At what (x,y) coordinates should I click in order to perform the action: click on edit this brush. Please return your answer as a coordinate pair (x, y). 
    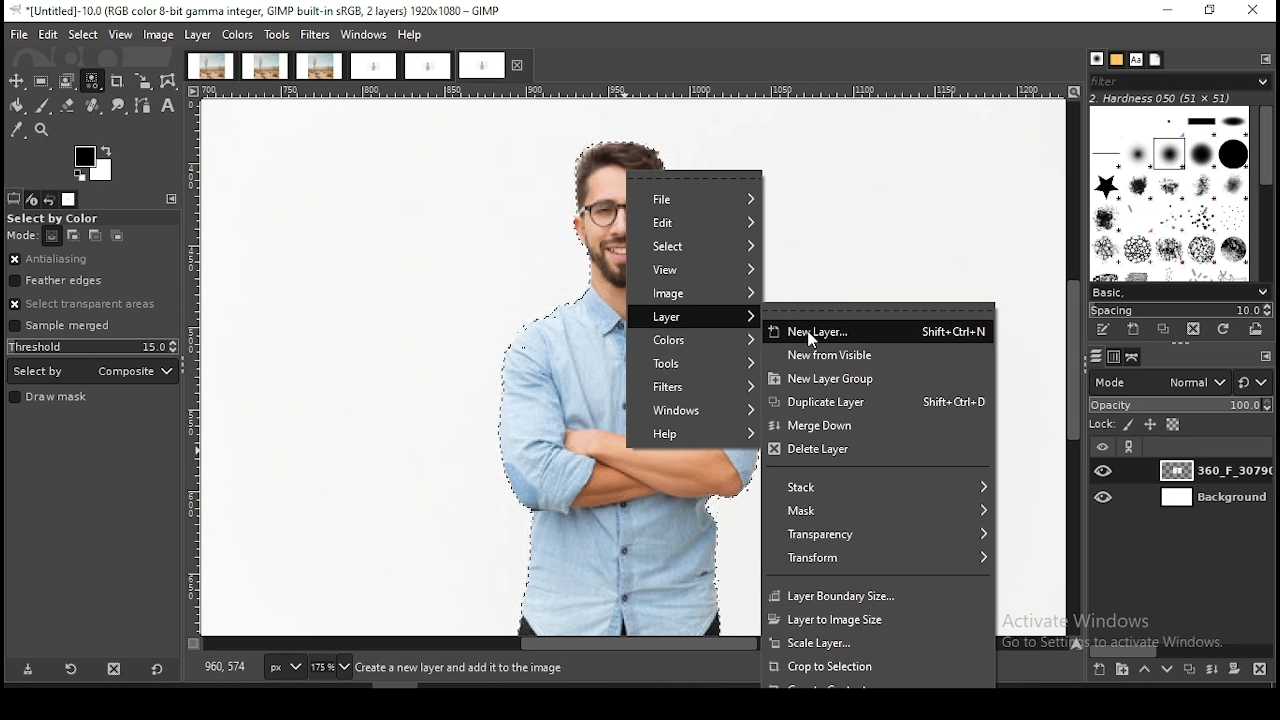
    Looking at the image, I should click on (1102, 330).